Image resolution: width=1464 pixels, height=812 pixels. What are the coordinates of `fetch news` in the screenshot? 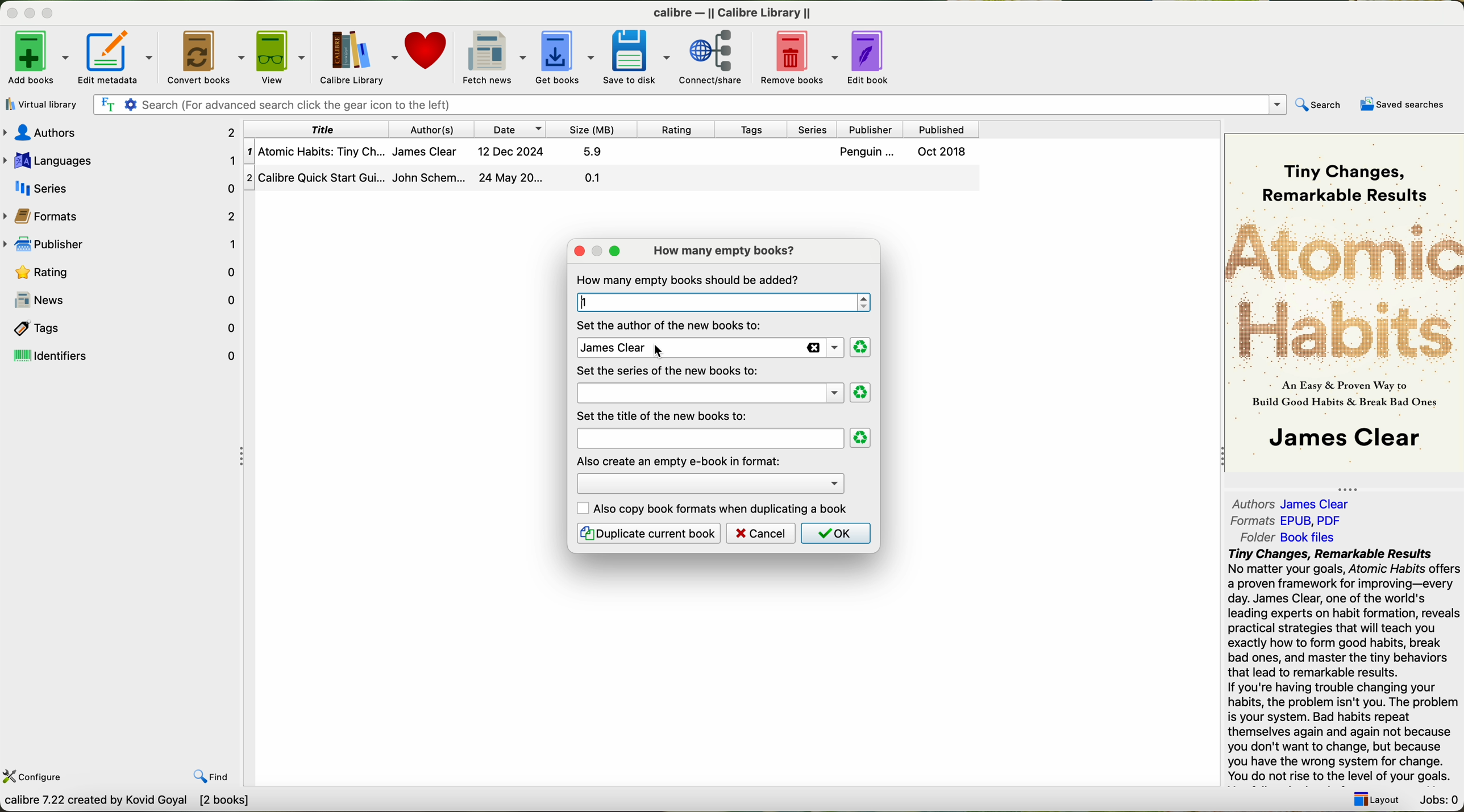 It's located at (492, 56).